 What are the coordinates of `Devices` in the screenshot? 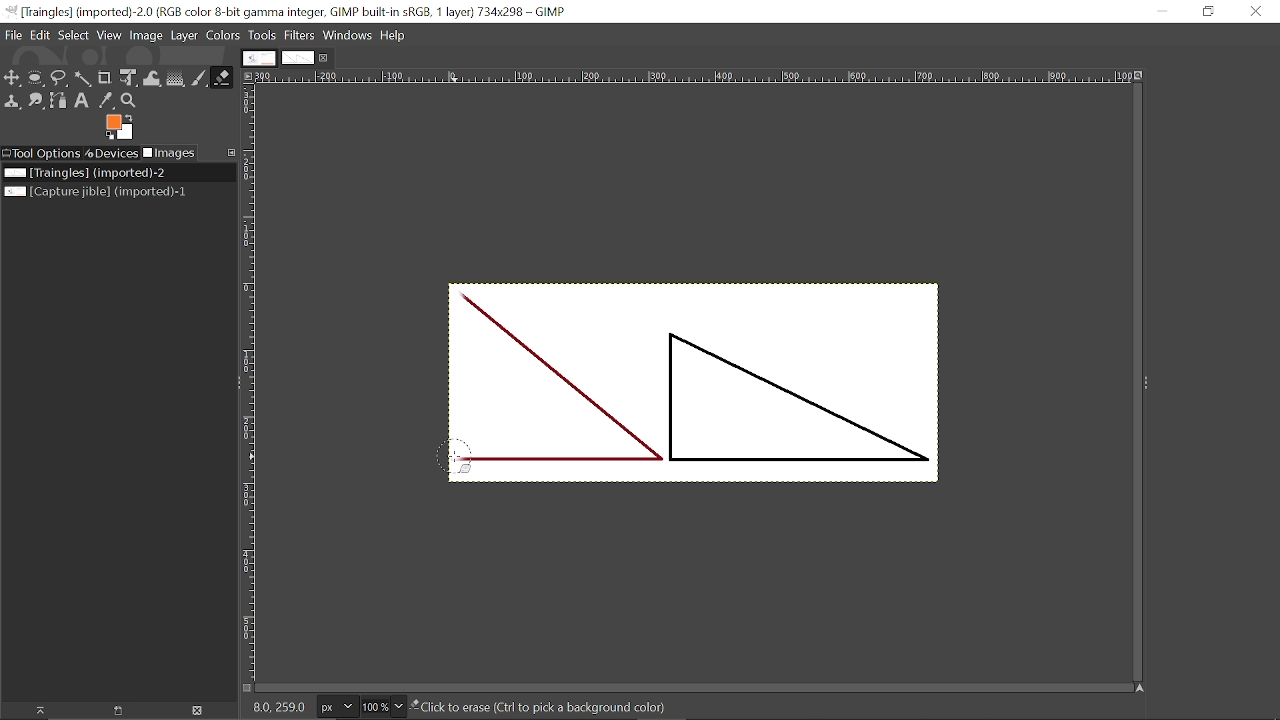 It's located at (111, 153).